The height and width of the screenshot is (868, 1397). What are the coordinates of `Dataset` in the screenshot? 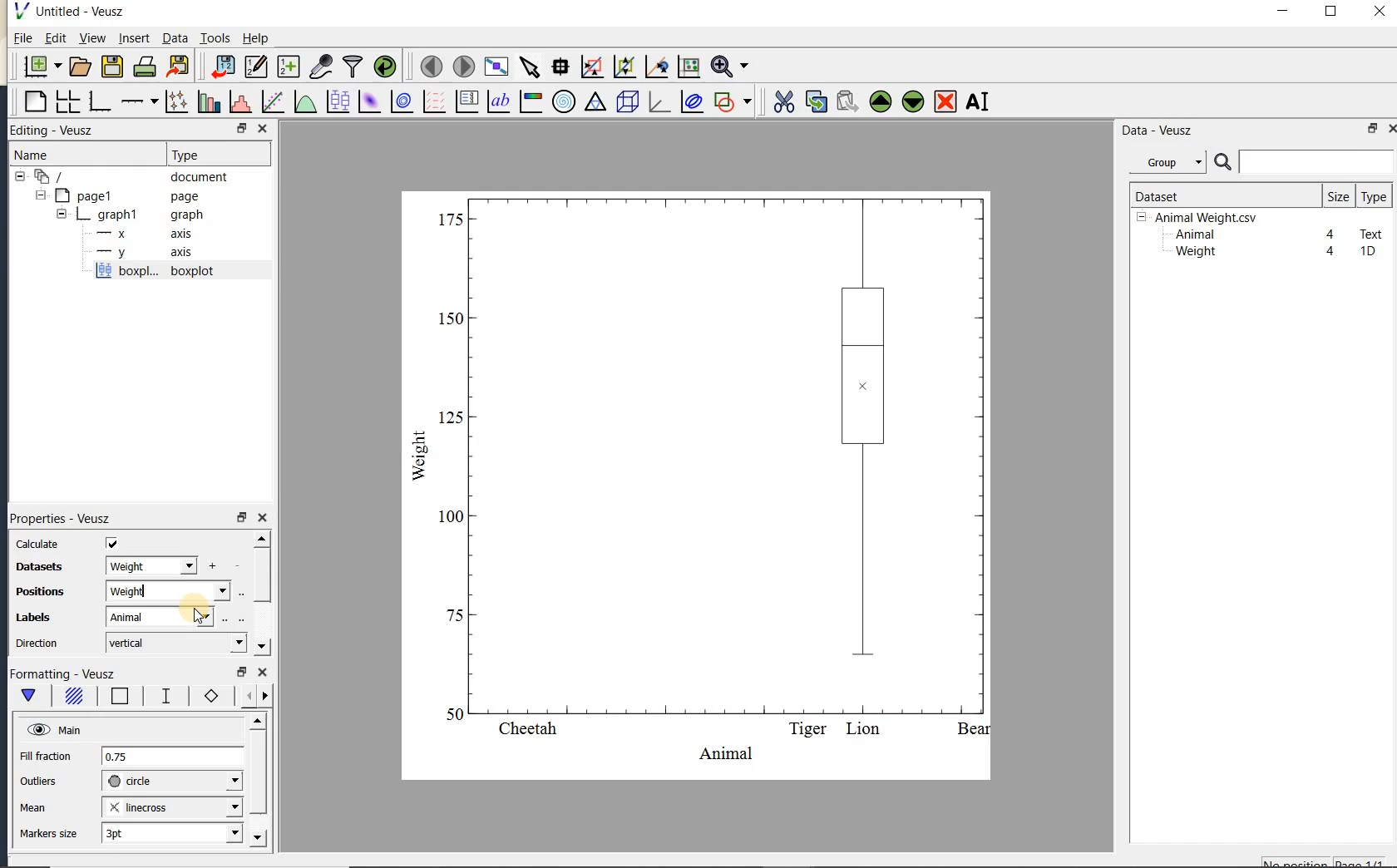 It's located at (1218, 195).